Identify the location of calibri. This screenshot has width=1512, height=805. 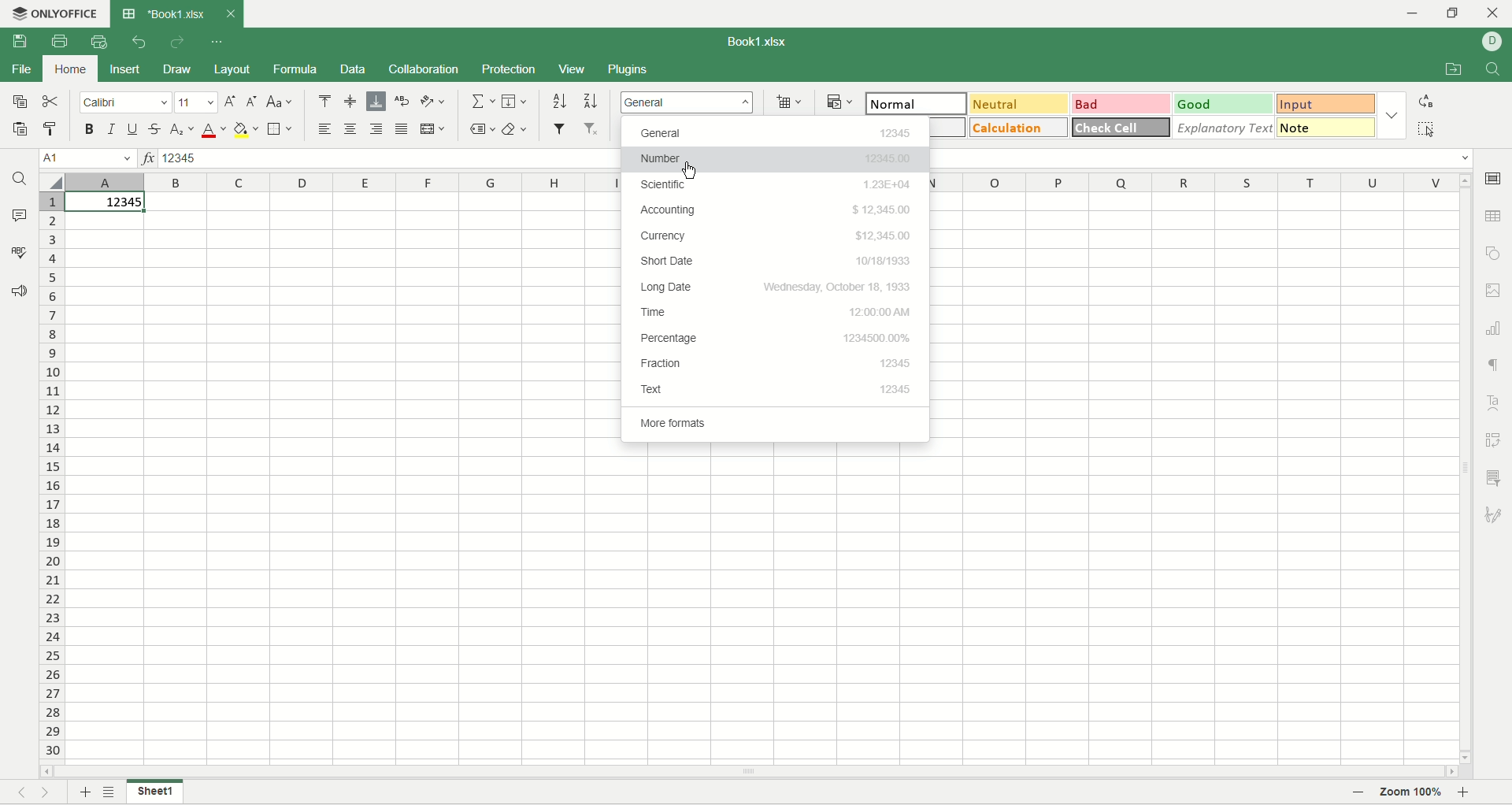
(128, 102).